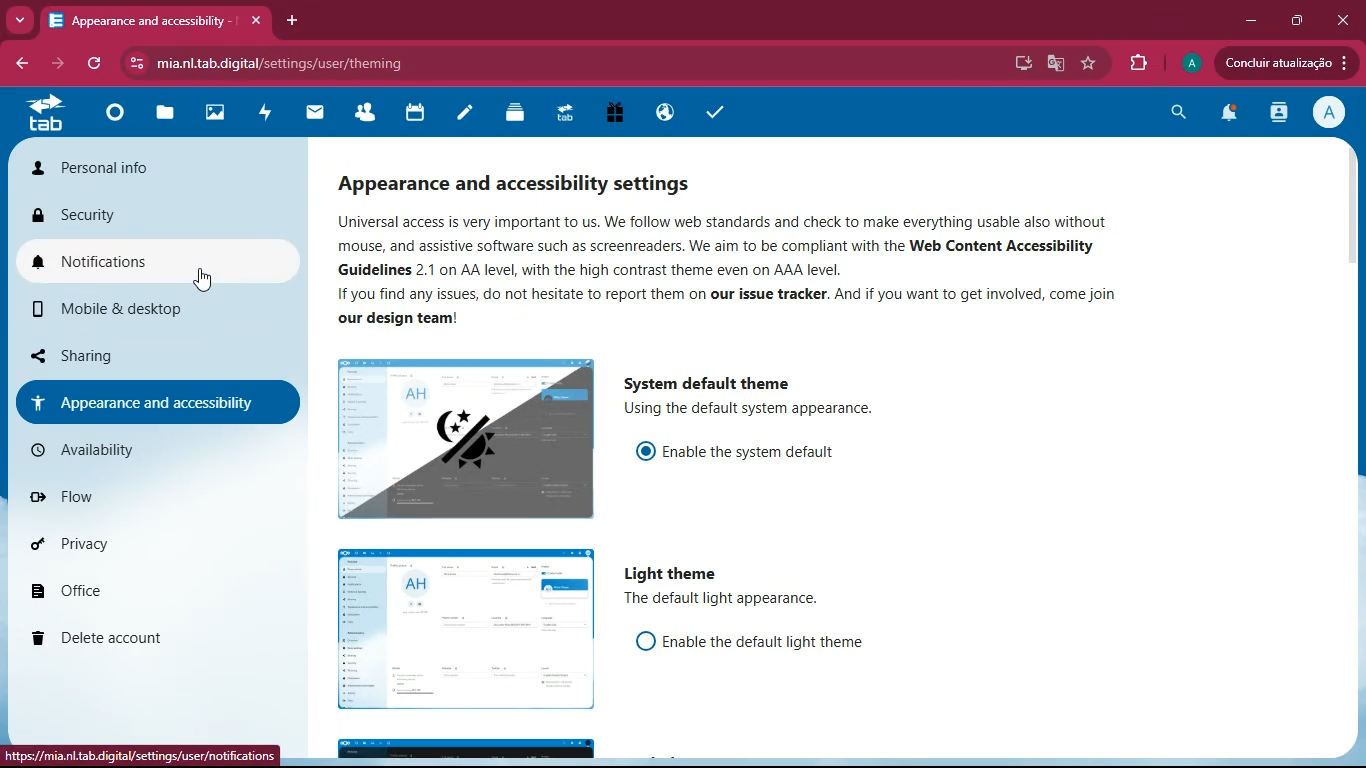 This screenshot has height=768, width=1366. I want to click on office, so click(143, 585).